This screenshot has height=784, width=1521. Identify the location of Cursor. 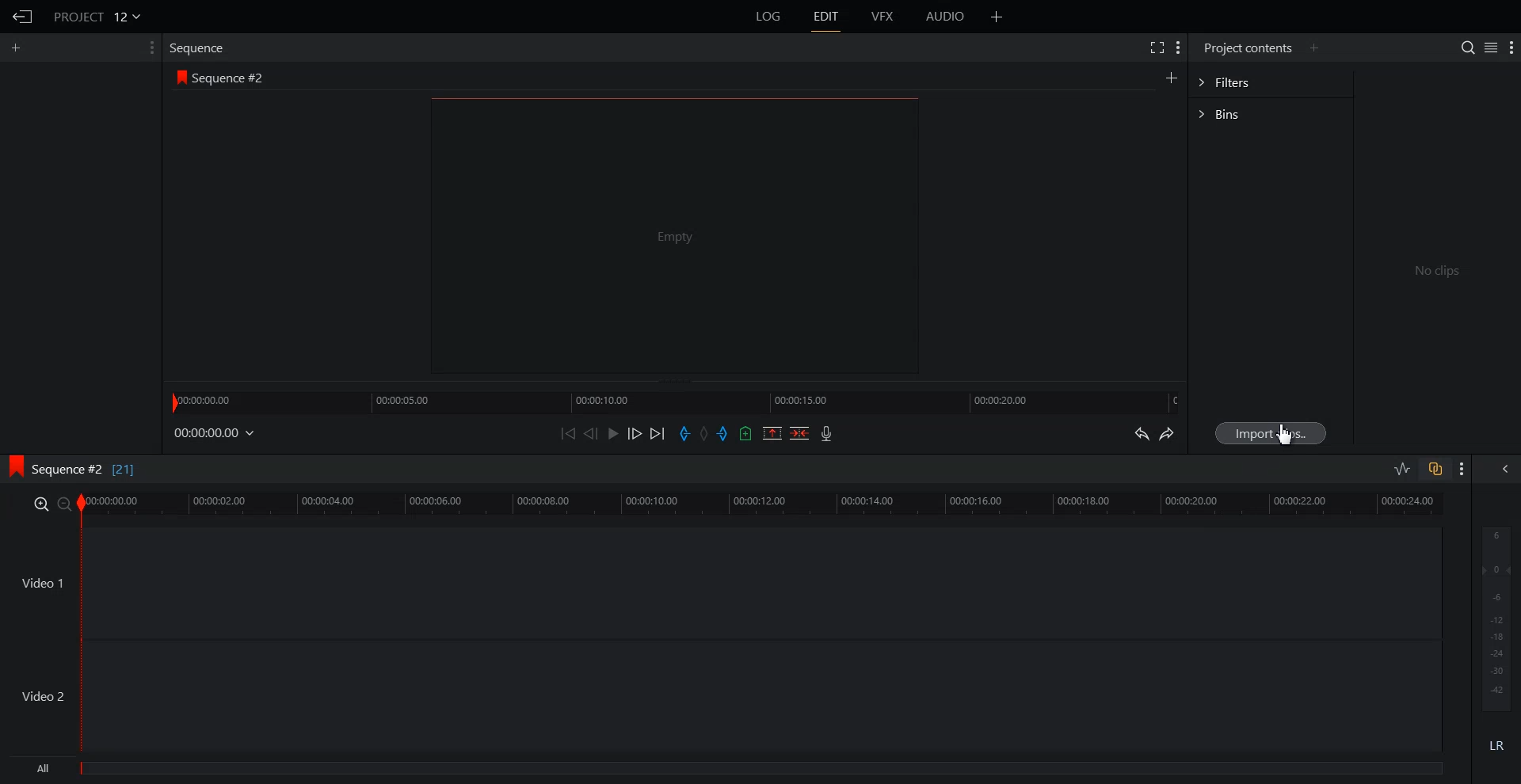
(1288, 434).